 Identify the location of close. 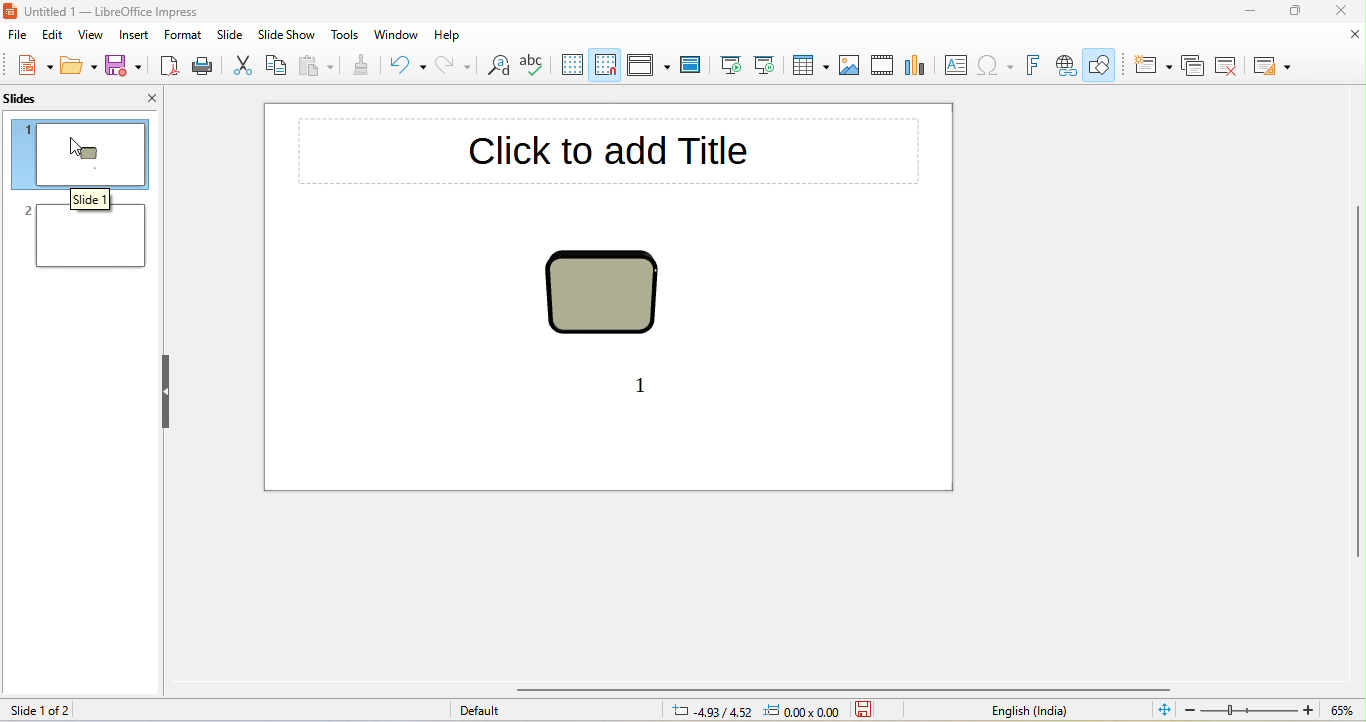
(1345, 11).